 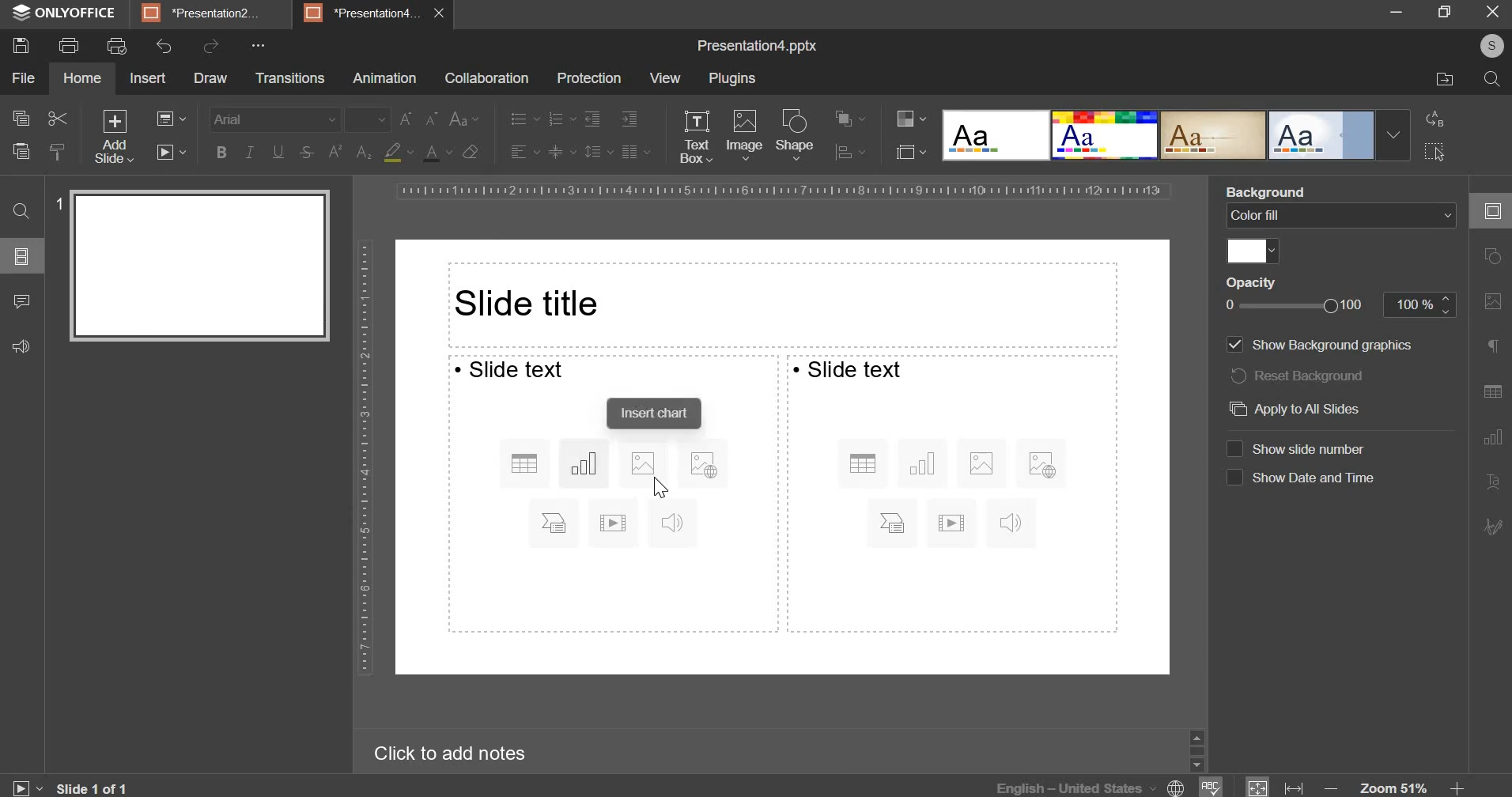 I want to click on design, so click(x=1323, y=136).